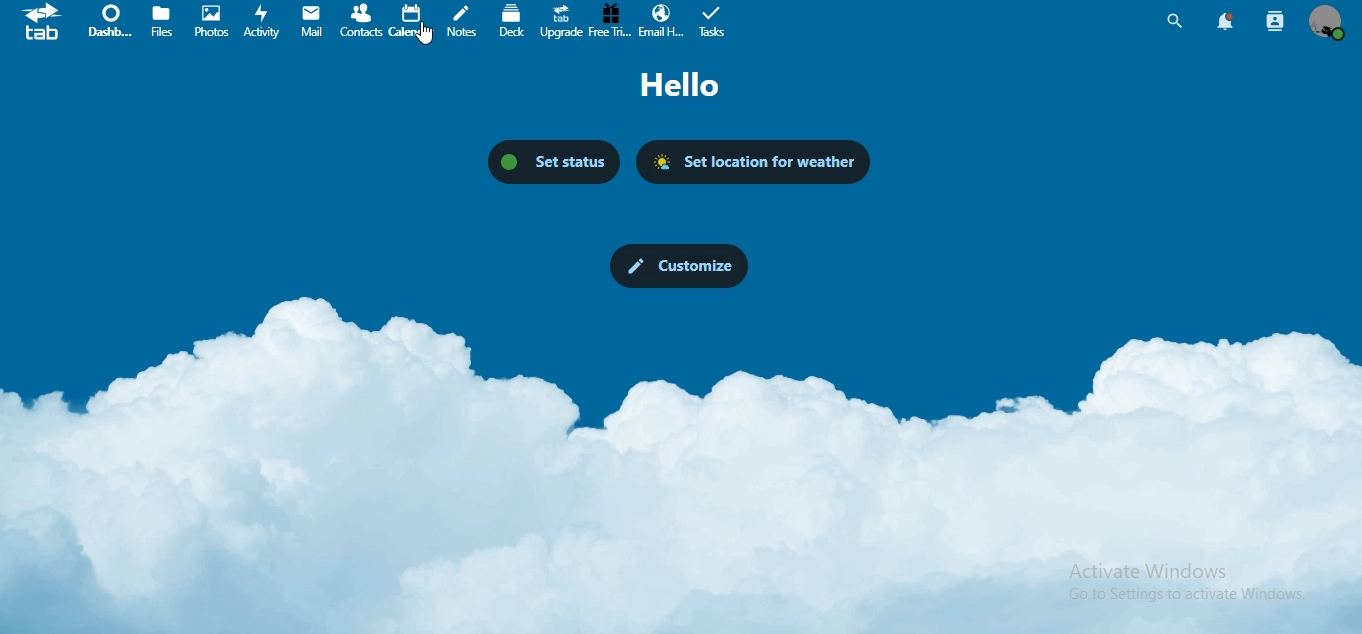 The image size is (1362, 634). What do you see at coordinates (361, 20) in the screenshot?
I see `contacts` at bounding box center [361, 20].